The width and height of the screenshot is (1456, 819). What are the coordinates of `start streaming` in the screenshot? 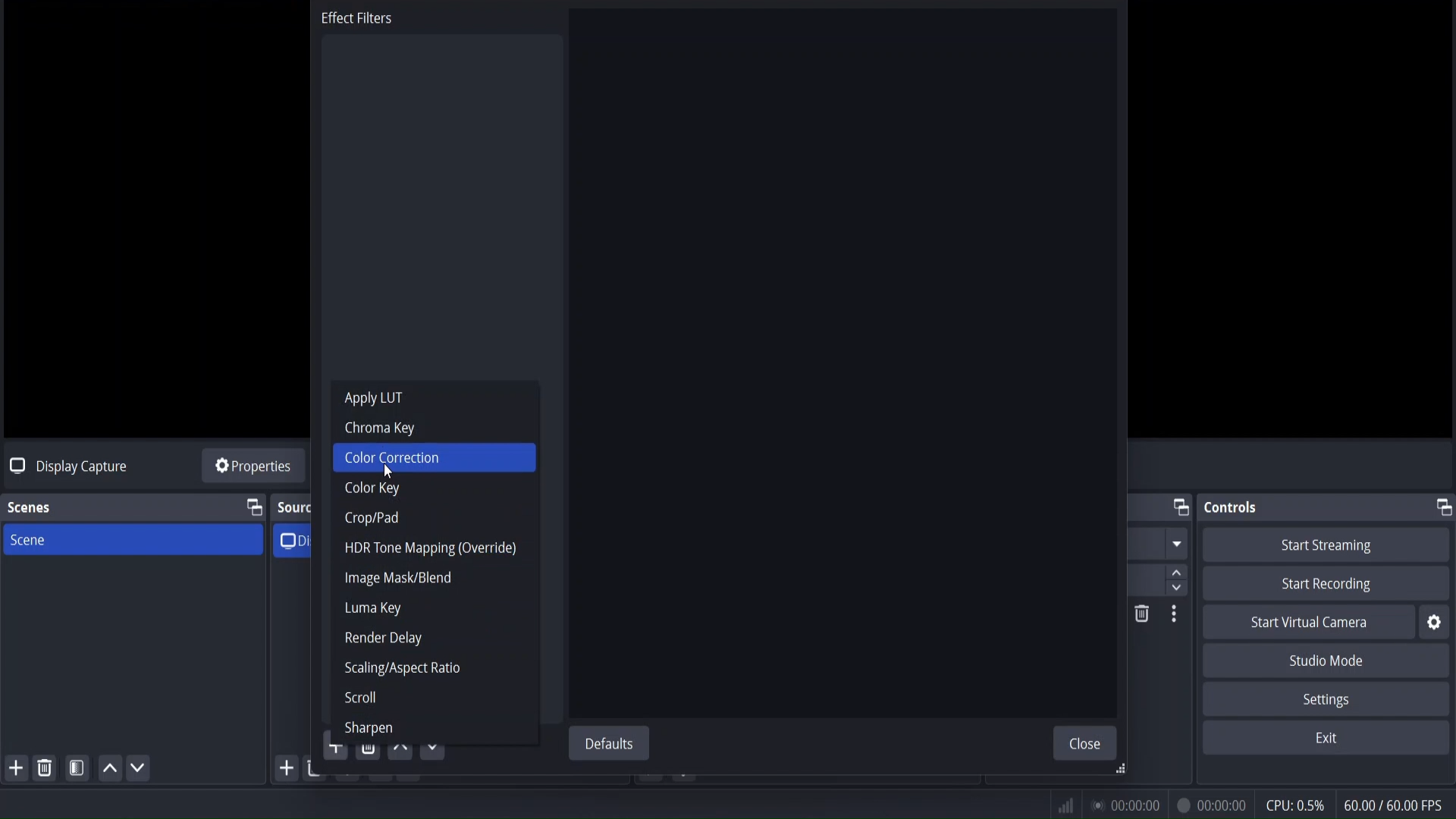 It's located at (1328, 545).